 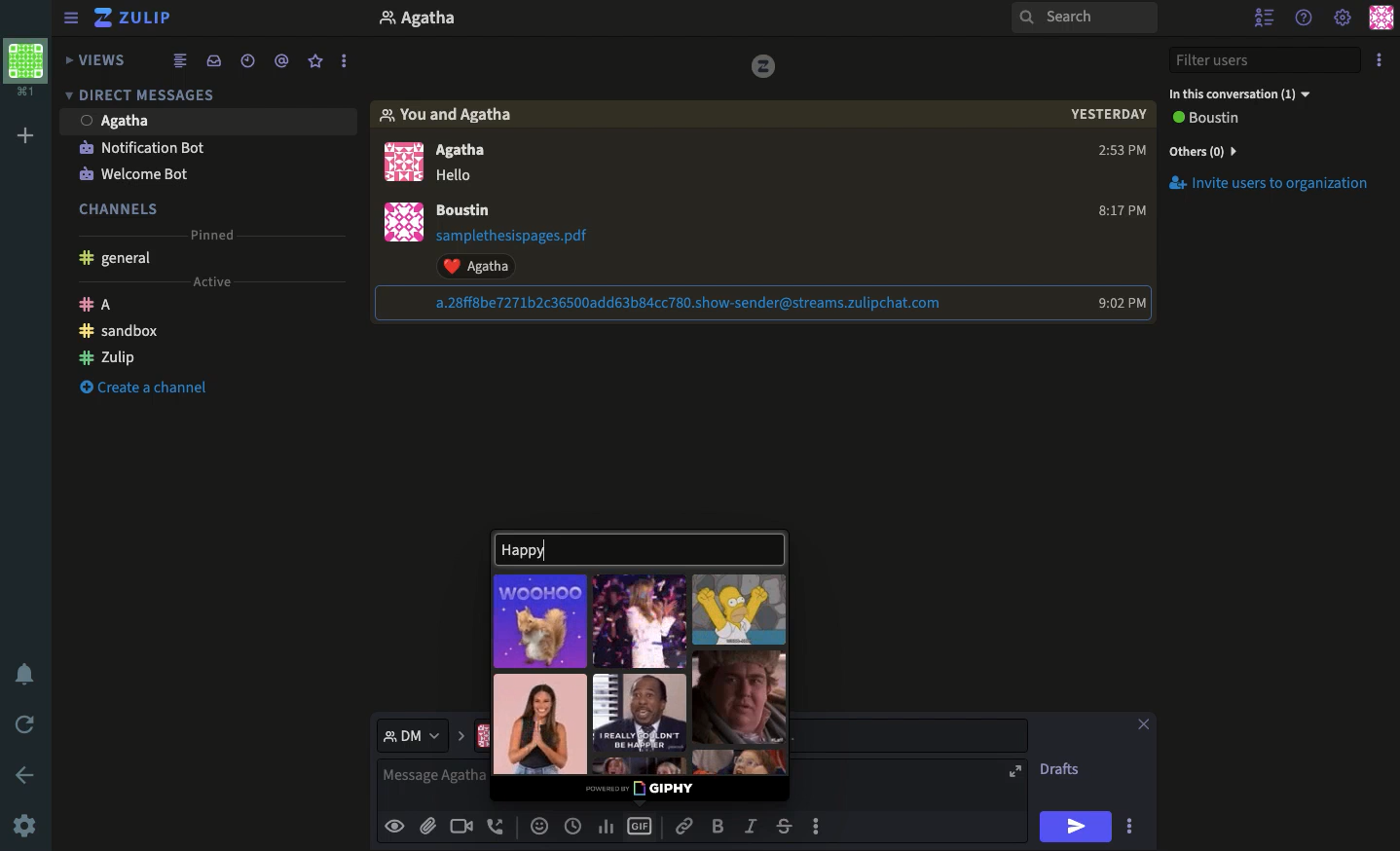 What do you see at coordinates (435, 784) in the screenshot?
I see `Message` at bounding box center [435, 784].